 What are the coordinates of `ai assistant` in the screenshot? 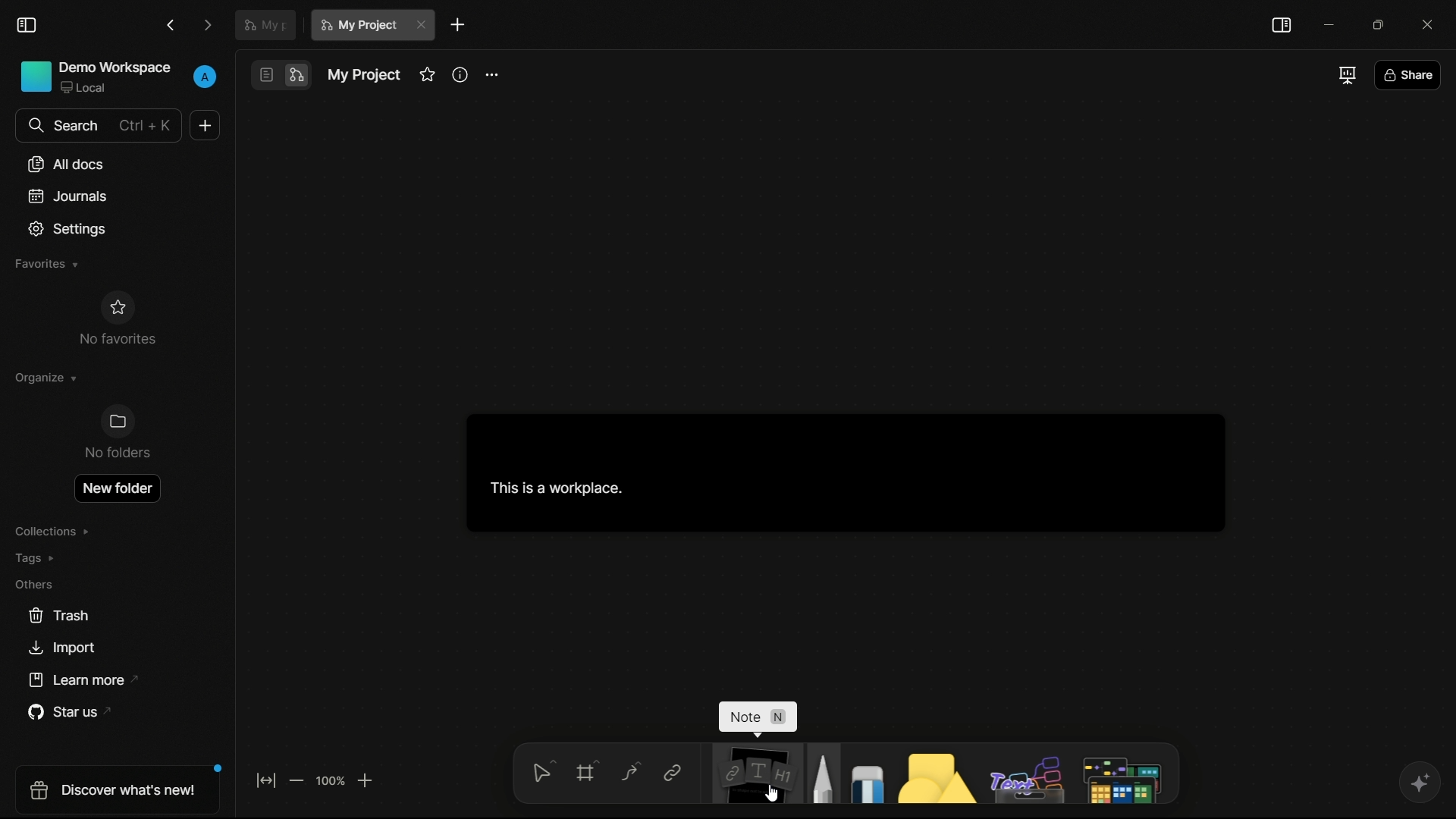 It's located at (1417, 783).